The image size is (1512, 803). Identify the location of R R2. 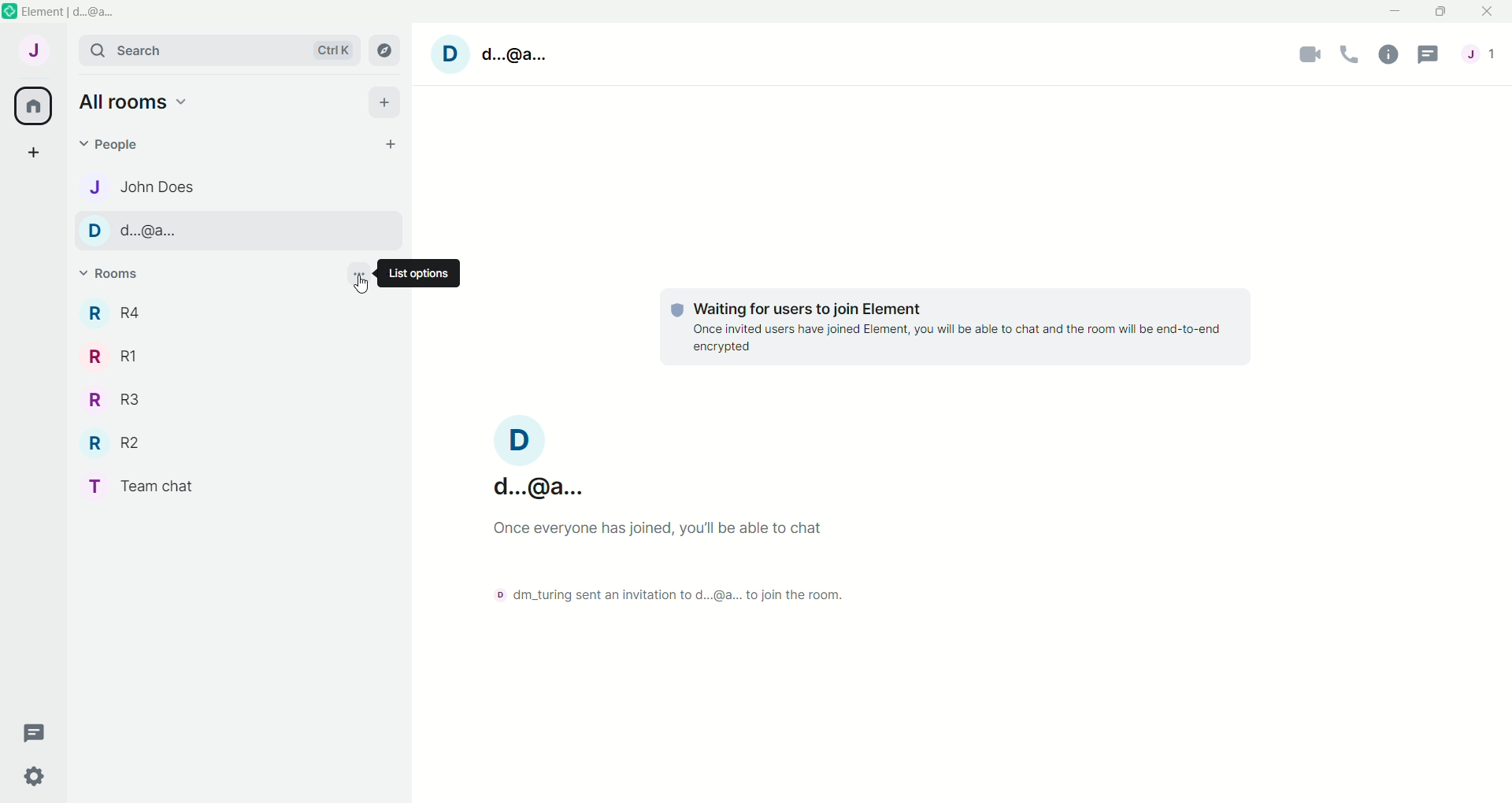
(134, 442).